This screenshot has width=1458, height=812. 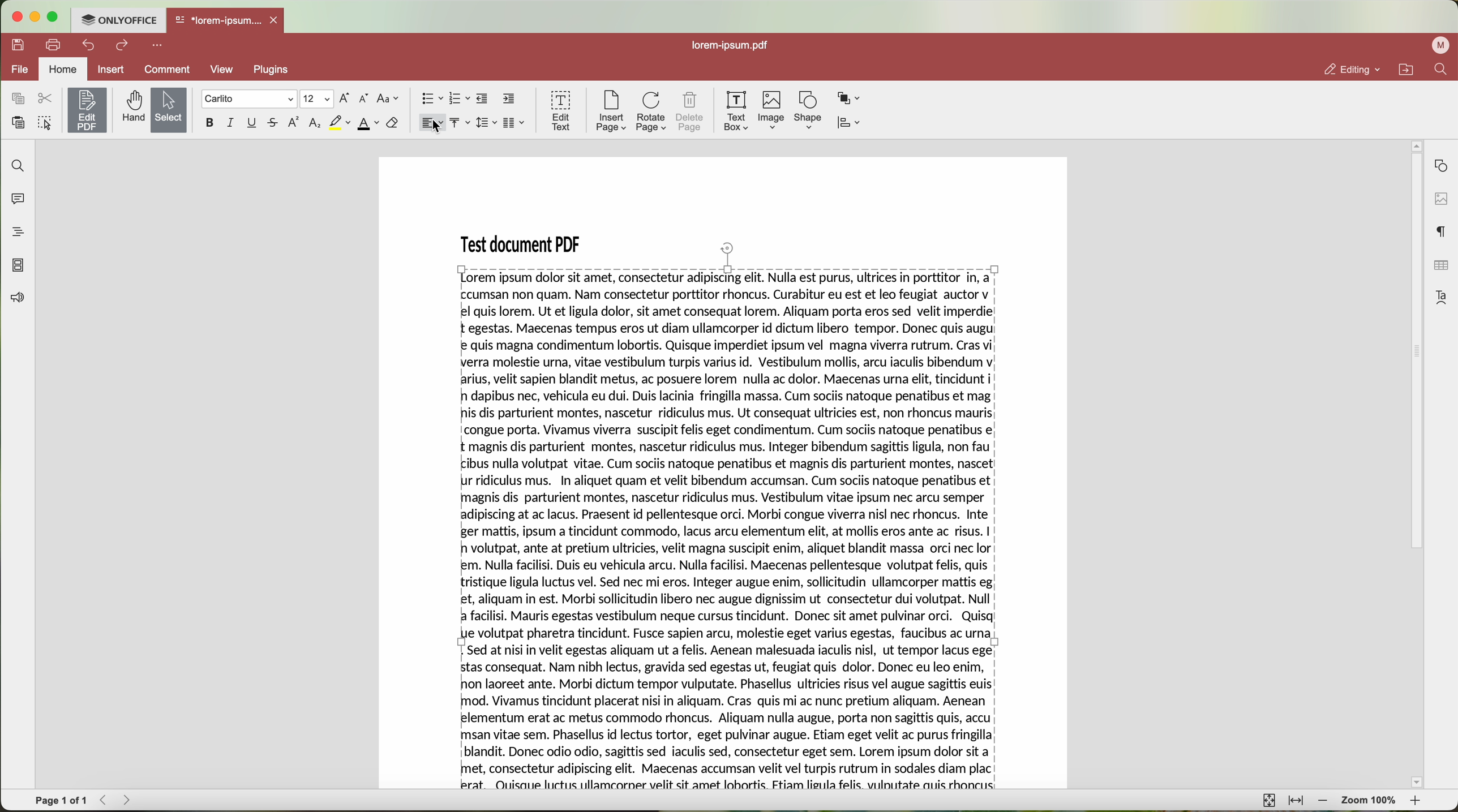 What do you see at coordinates (60, 802) in the screenshot?
I see `page 1 of 1` at bounding box center [60, 802].